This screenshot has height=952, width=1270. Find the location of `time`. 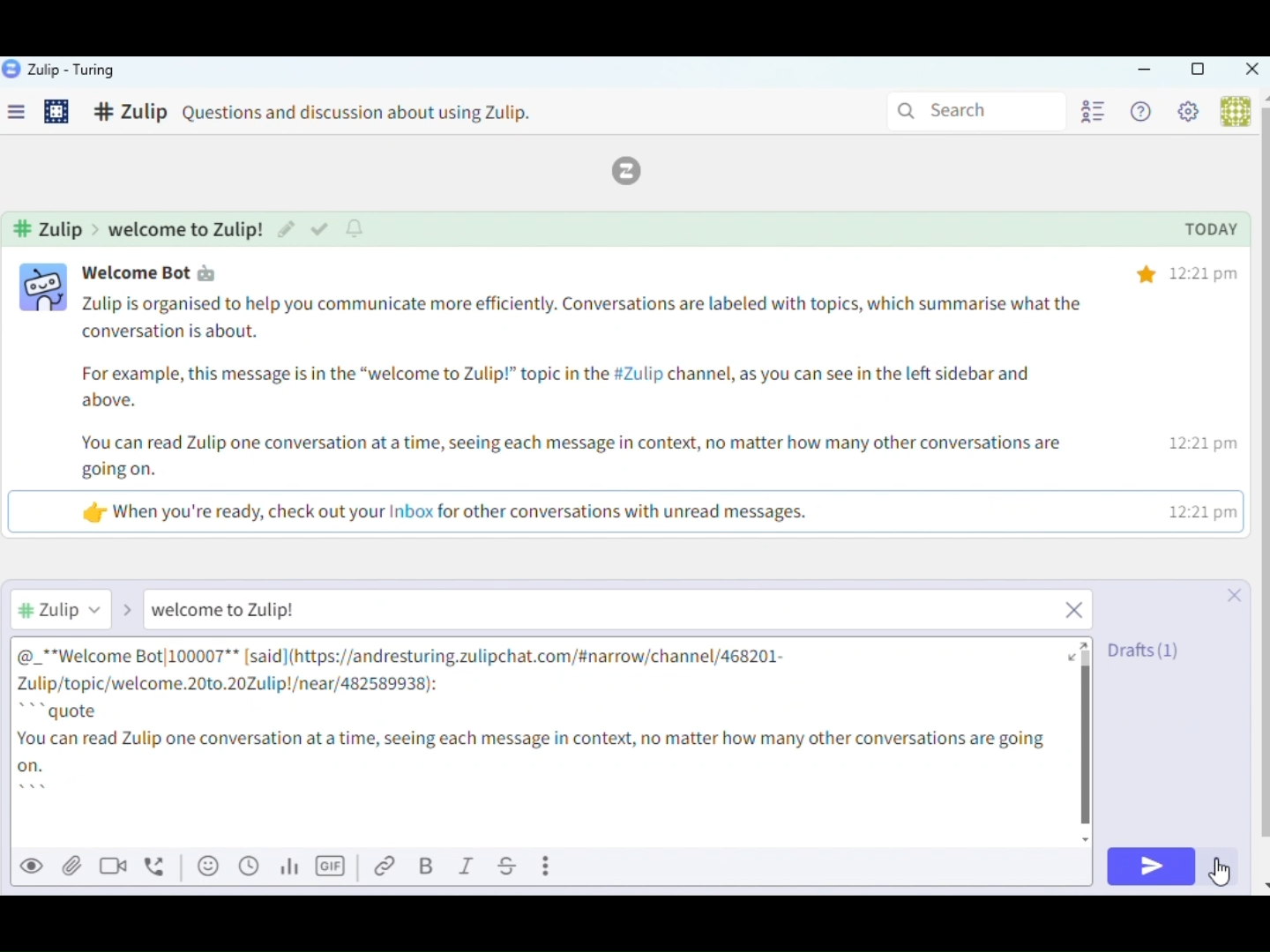

time is located at coordinates (1206, 393).